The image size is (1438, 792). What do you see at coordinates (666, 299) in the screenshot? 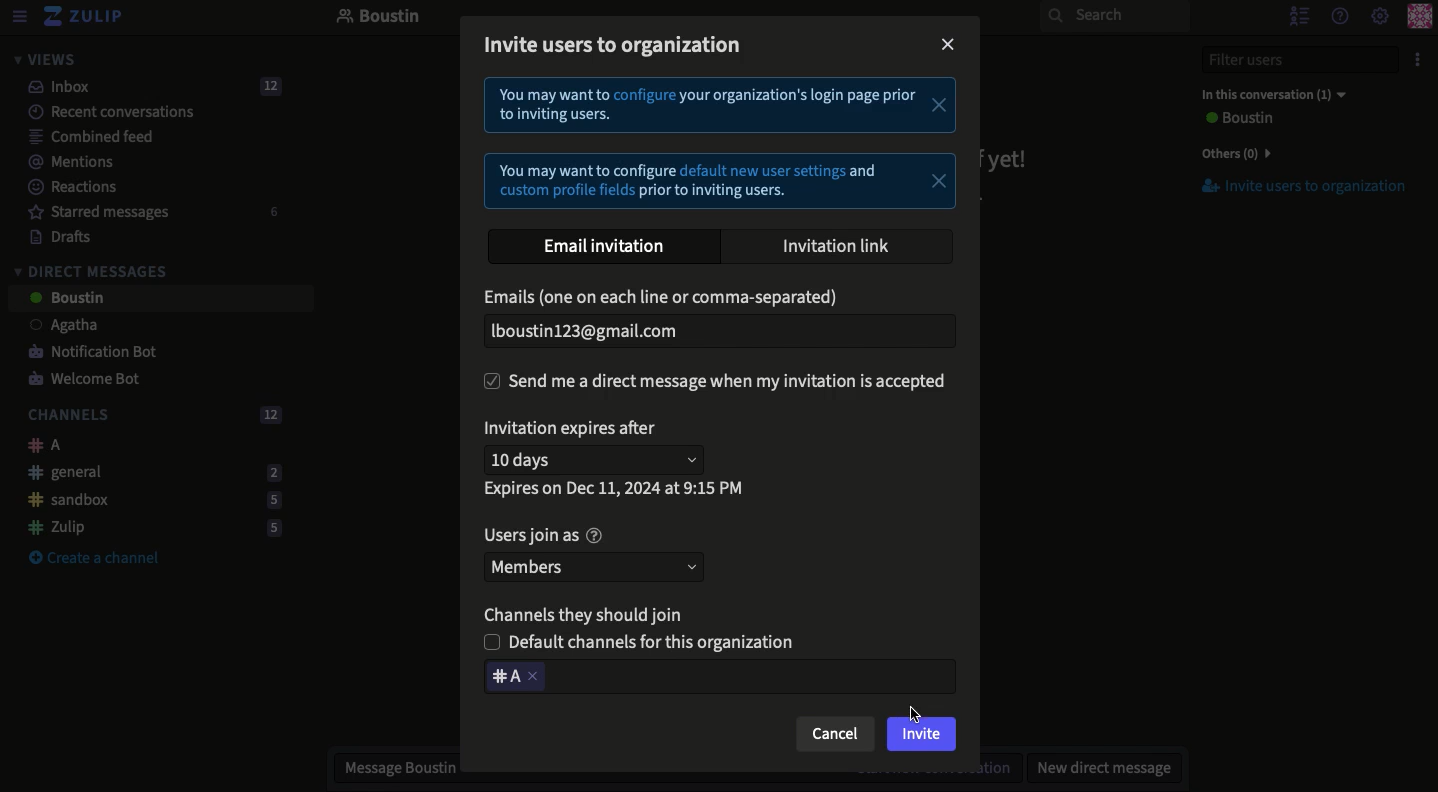
I see `Email ` at bounding box center [666, 299].